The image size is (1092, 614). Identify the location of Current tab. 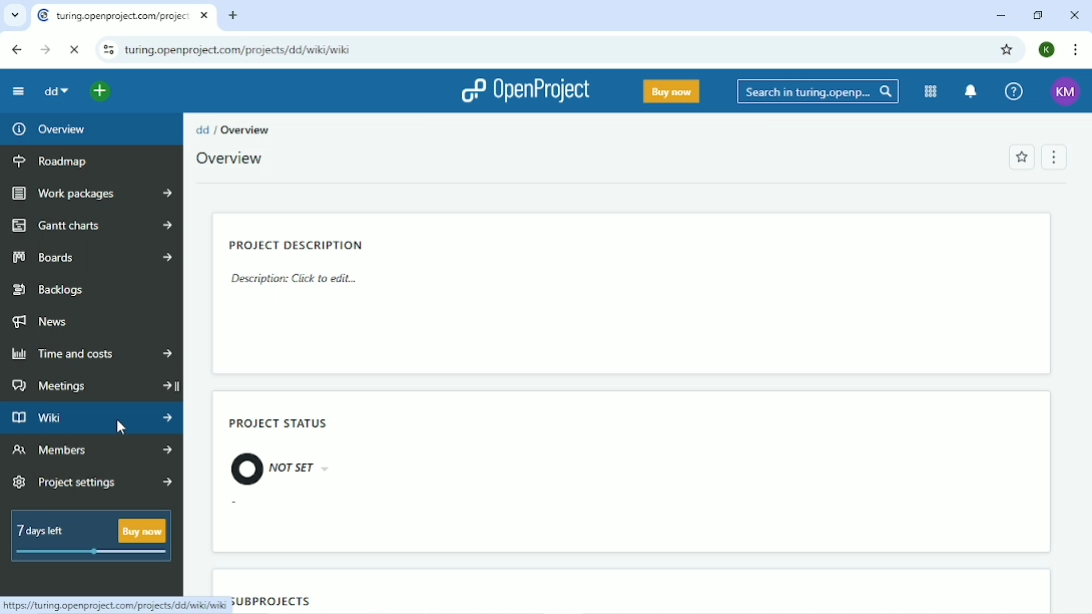
(123, 16).